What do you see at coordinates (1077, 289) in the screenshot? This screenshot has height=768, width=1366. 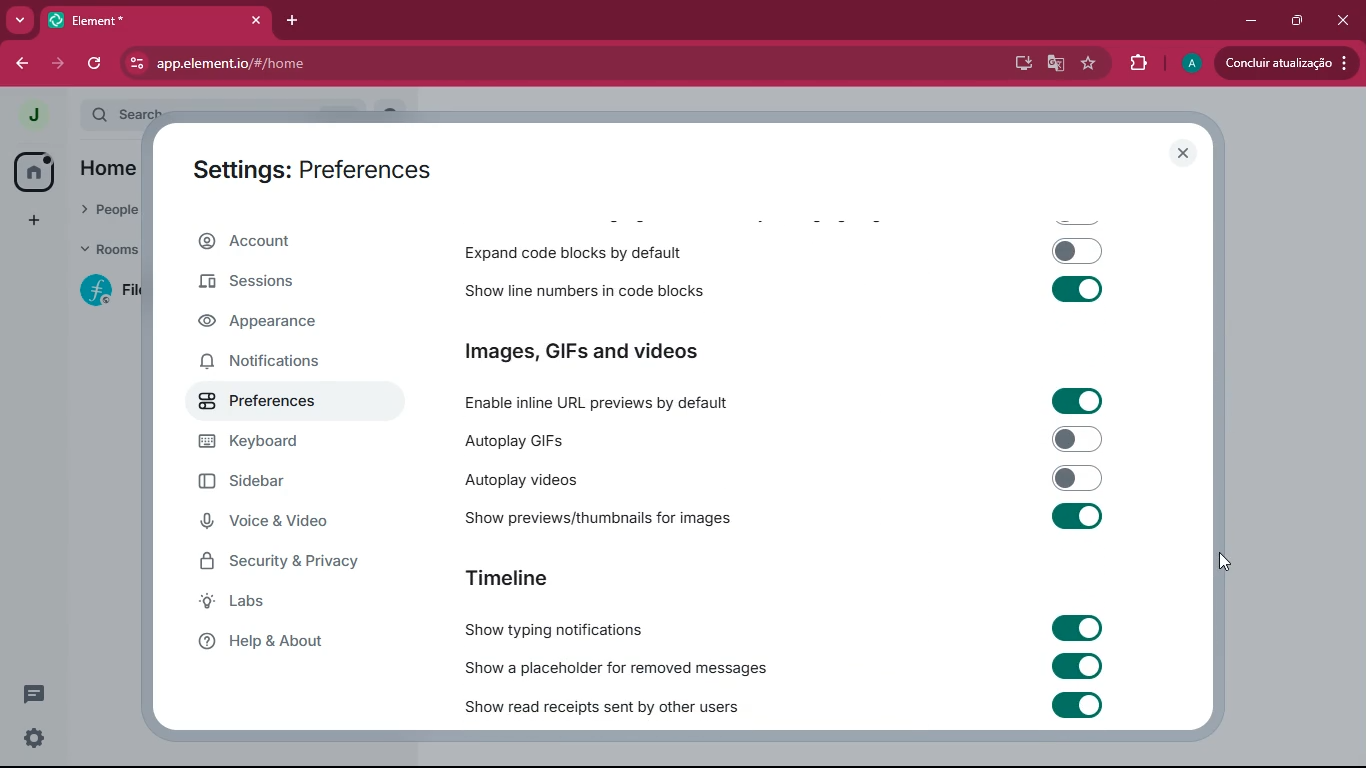 I see `toggle on/off` at bounding box center [1077, 289].